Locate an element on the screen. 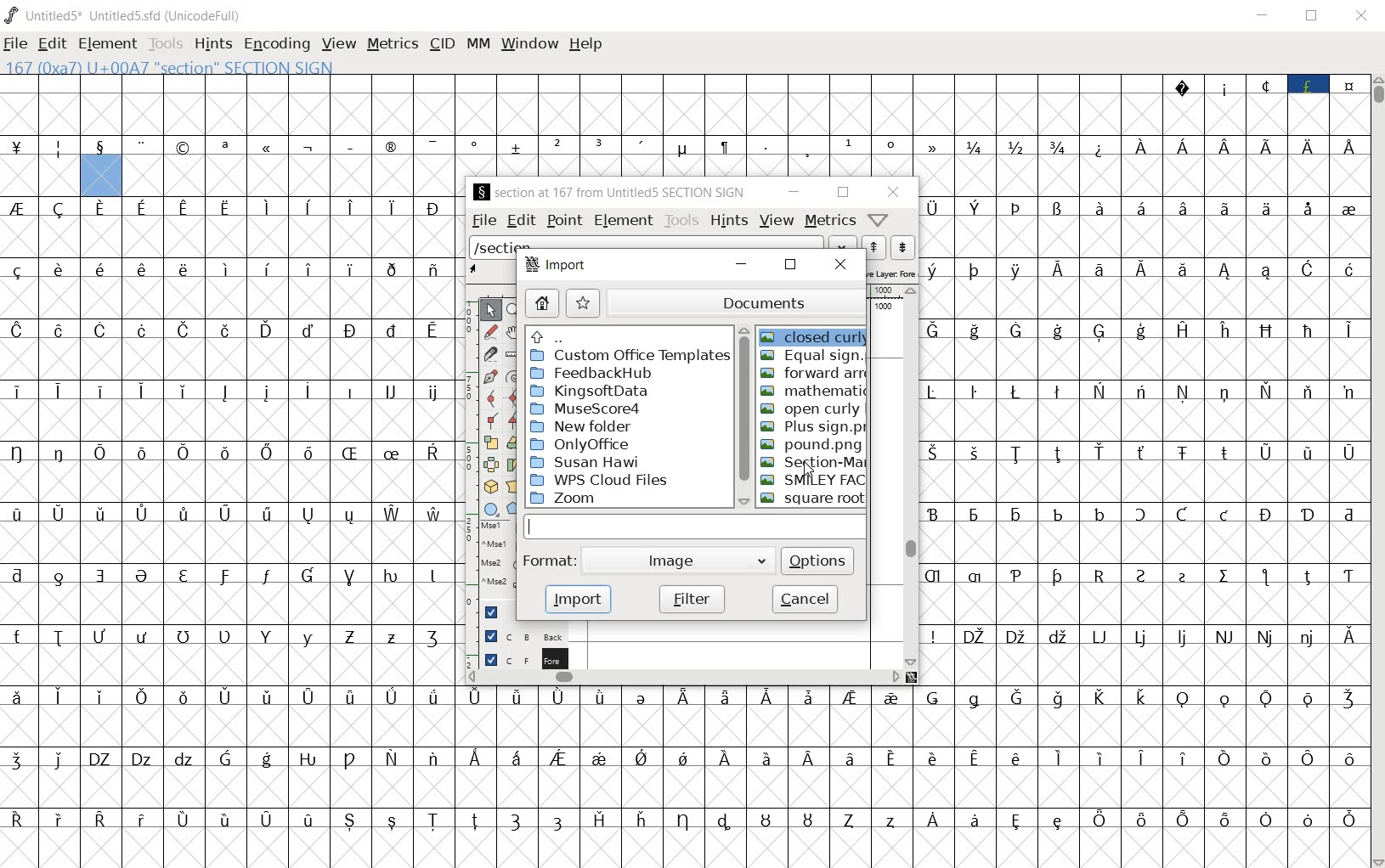  fractions is located at coordinates (1019, 146).